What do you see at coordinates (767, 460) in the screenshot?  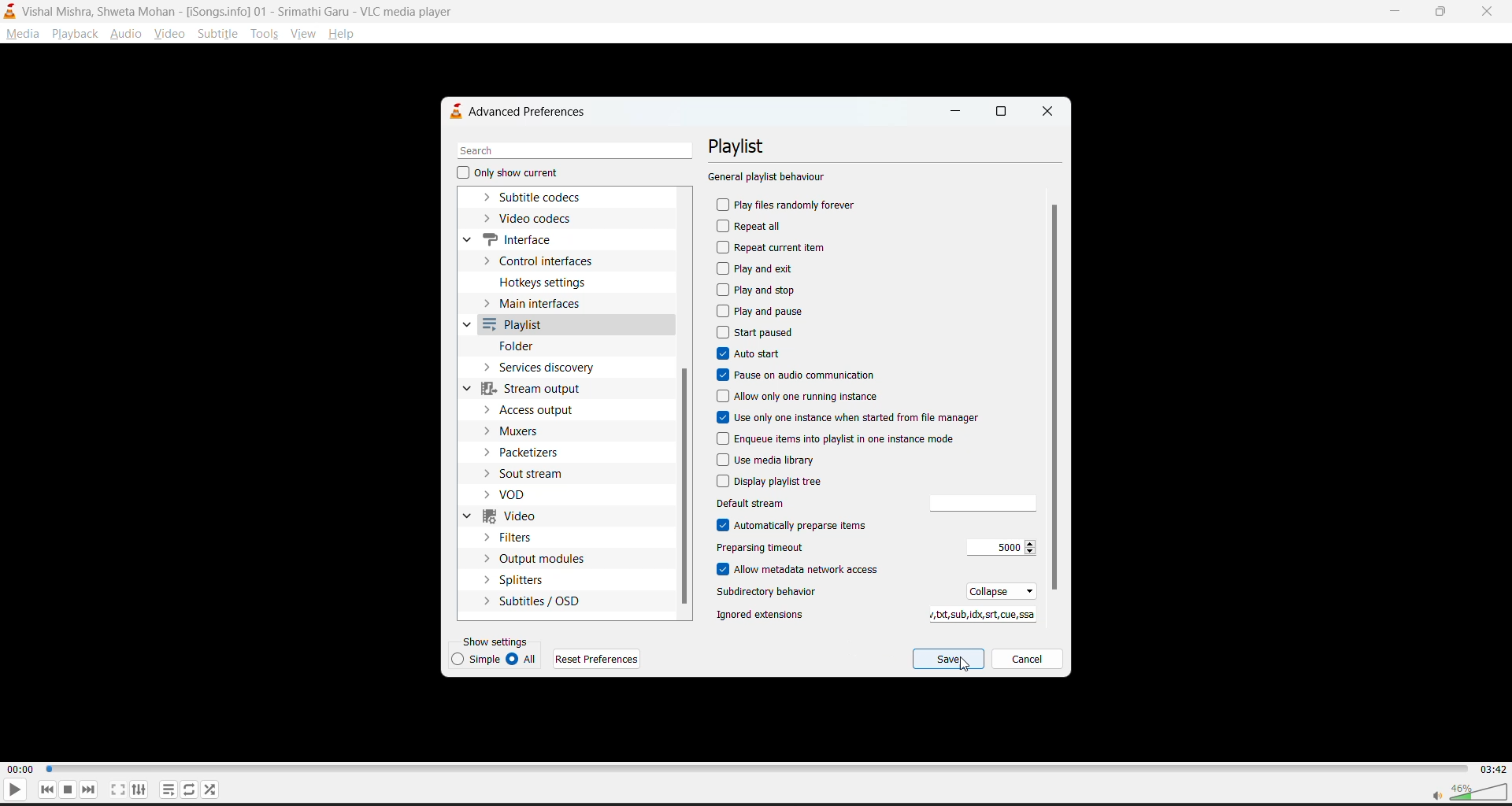 I see `use media library` at bounding box center [767, 460].